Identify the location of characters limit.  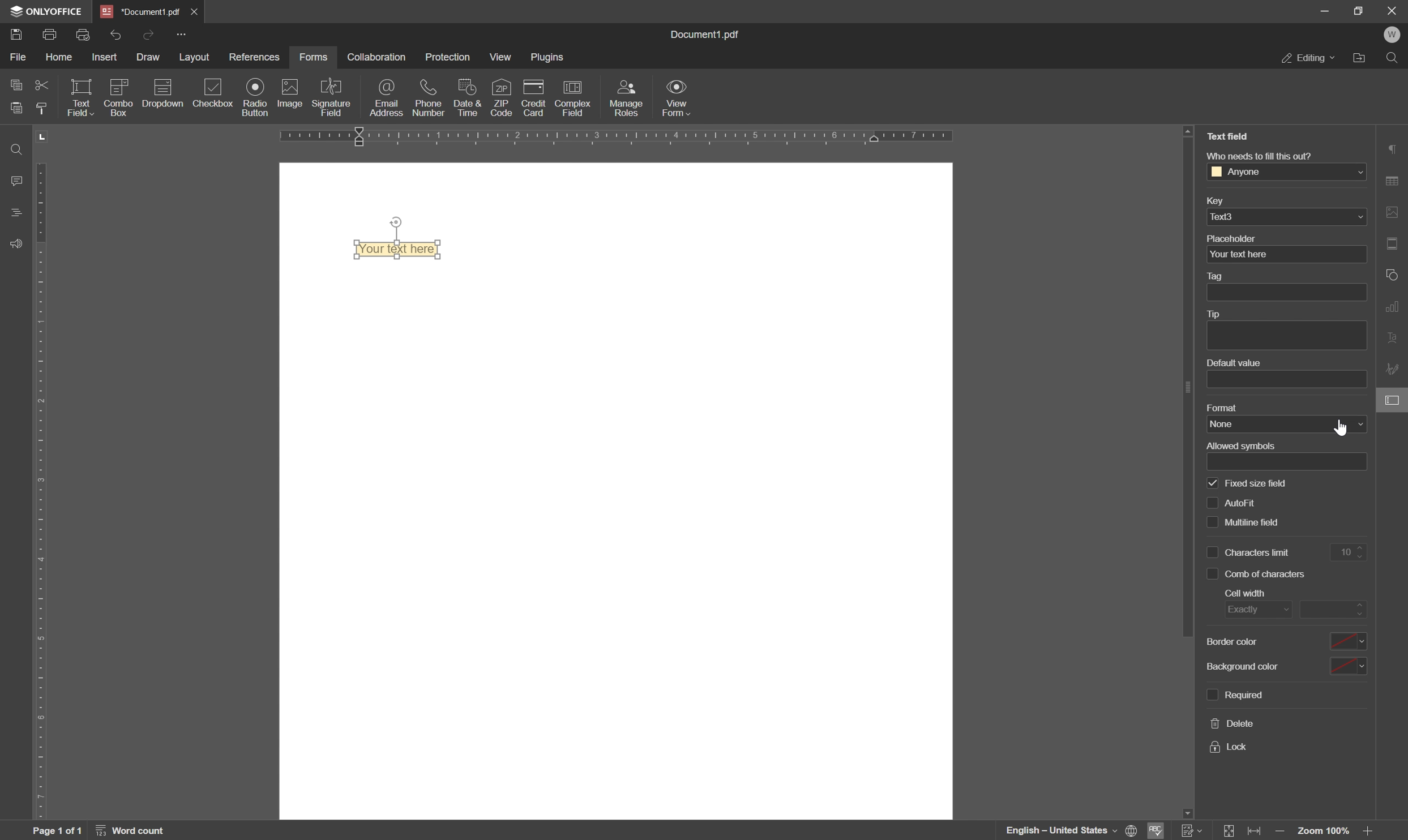
(1257, 552).